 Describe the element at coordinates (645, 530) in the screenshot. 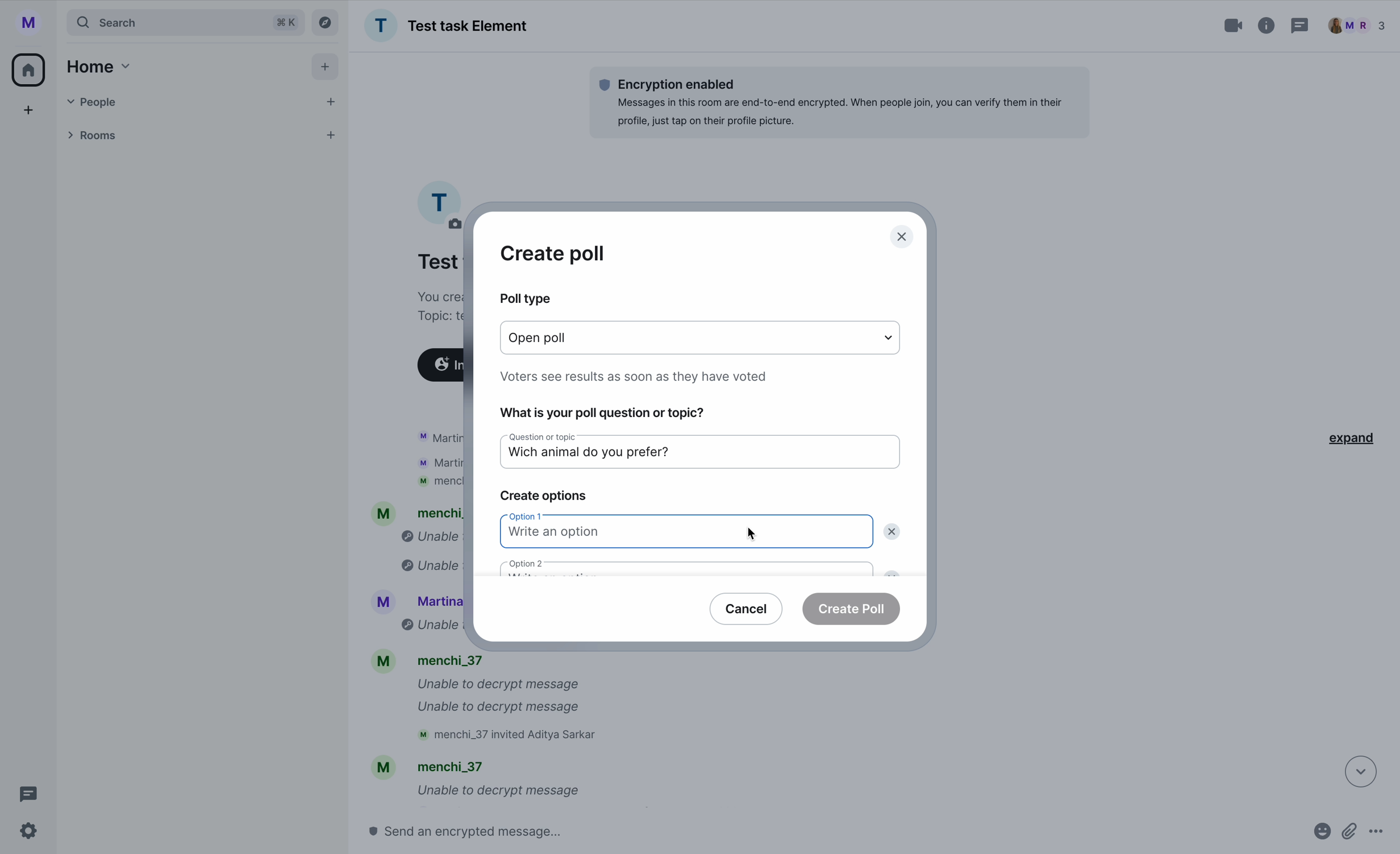

I see `write an option` at that location.